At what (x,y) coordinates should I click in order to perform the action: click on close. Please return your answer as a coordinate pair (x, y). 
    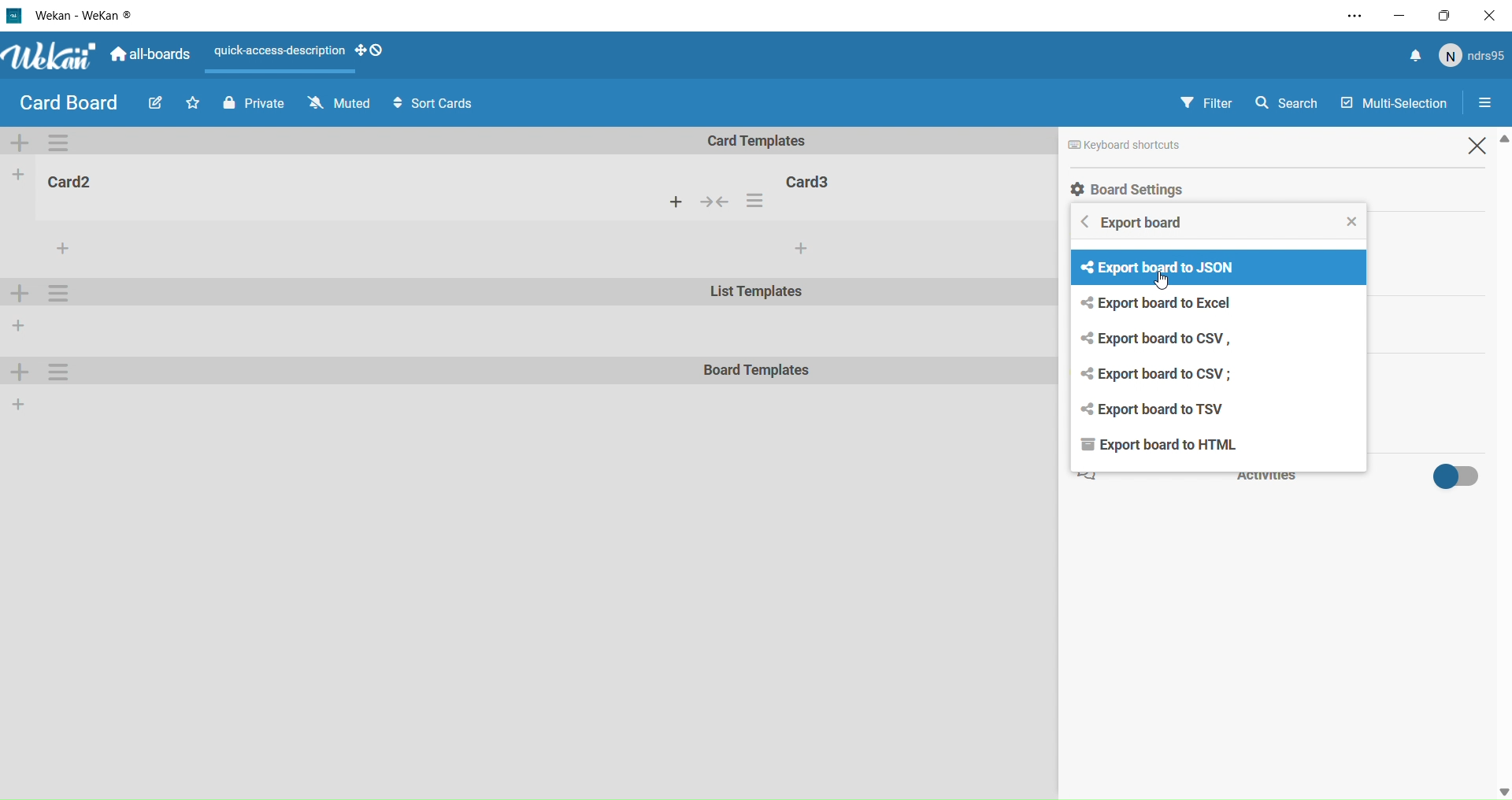
    Looking at the image, I should click on (1493, 15).